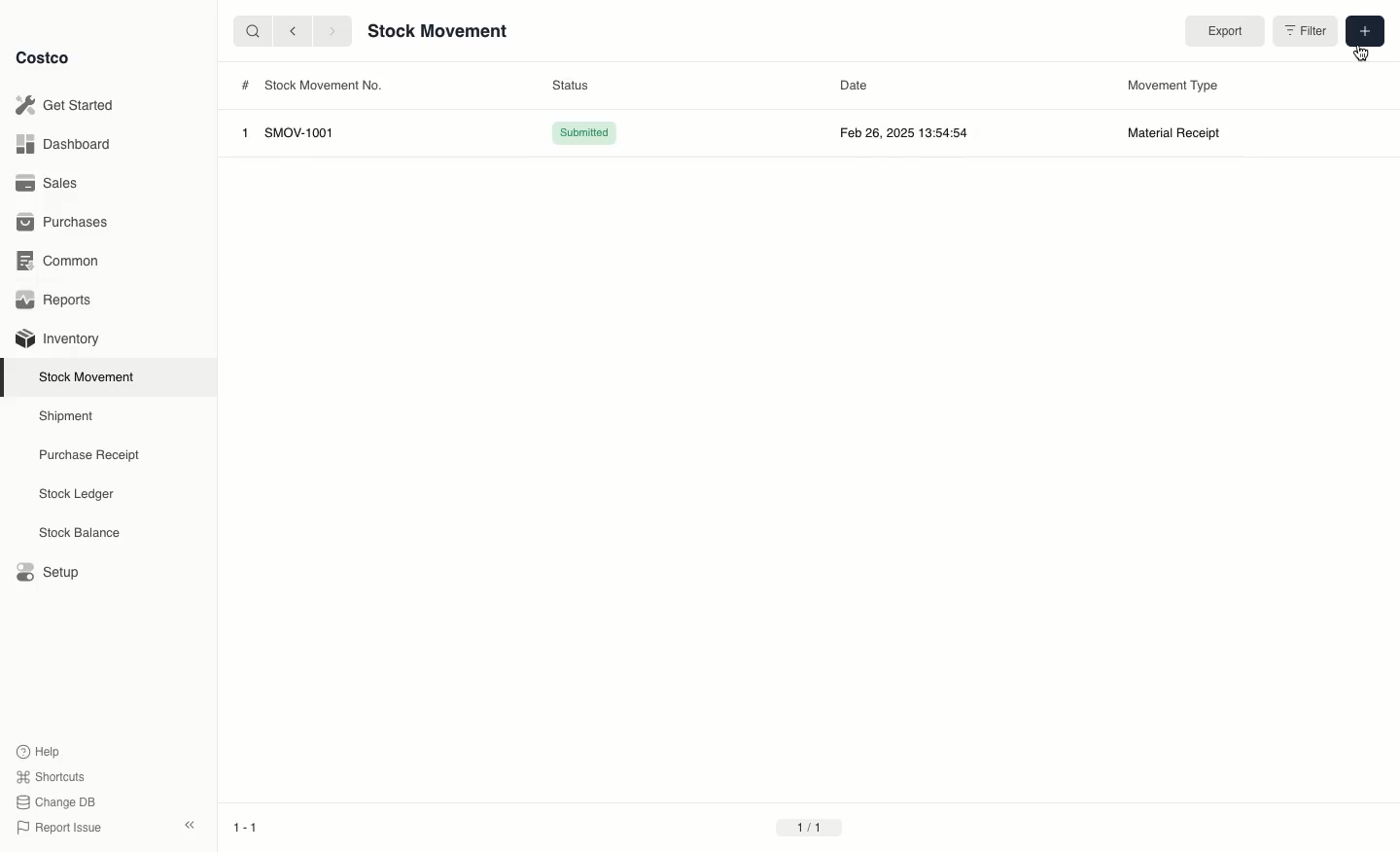 The image size is (1400, 852). What do you see at coordinates (1173, 134) in the screenshot?
I see `Material Receipt` at bounding box center [1173, 134].